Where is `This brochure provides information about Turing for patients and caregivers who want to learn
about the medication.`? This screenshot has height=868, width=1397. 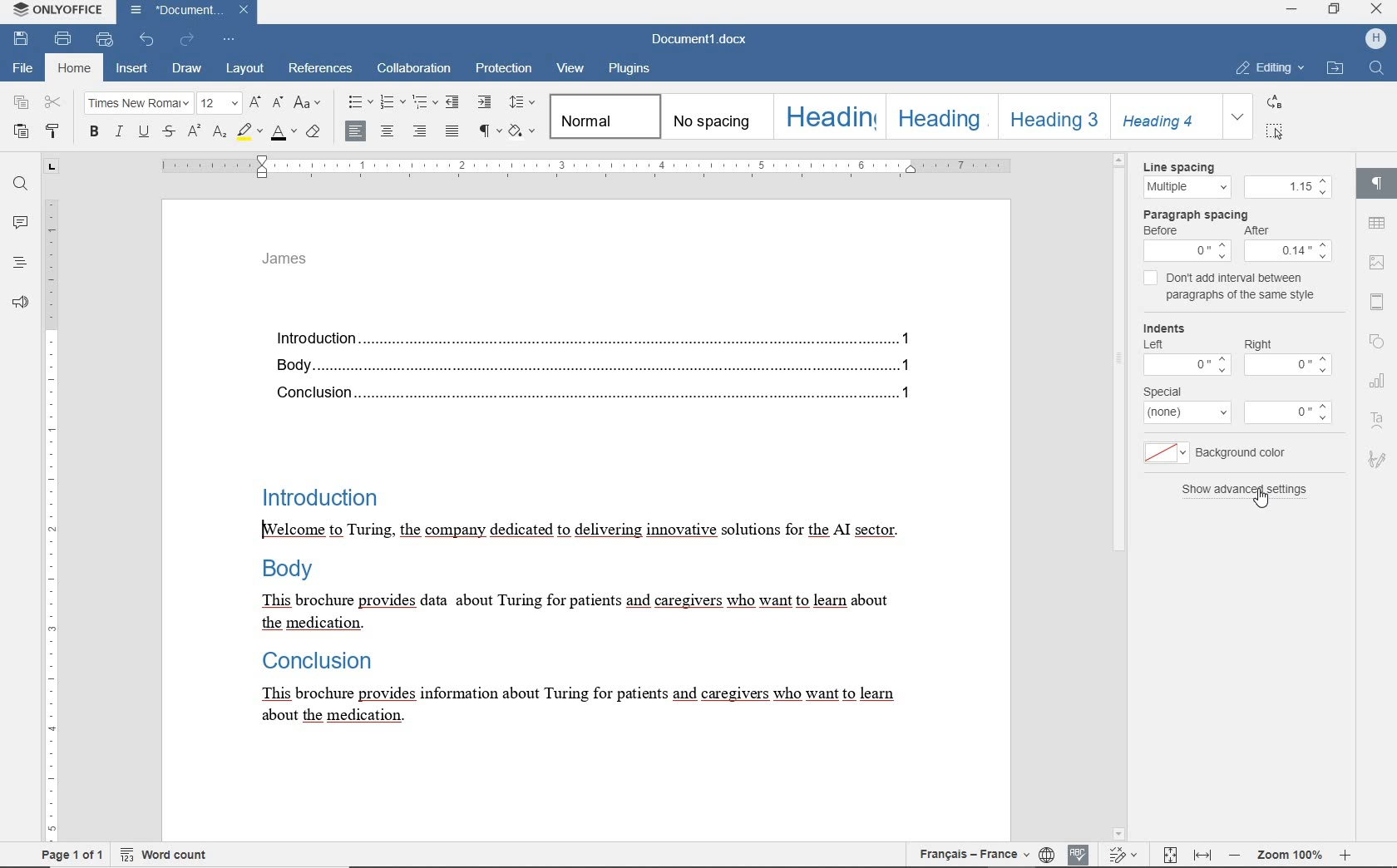
This brochure provides information about Turing for patients and caregivers who want to learn
about the medication. is located at coordinates (586, 708).